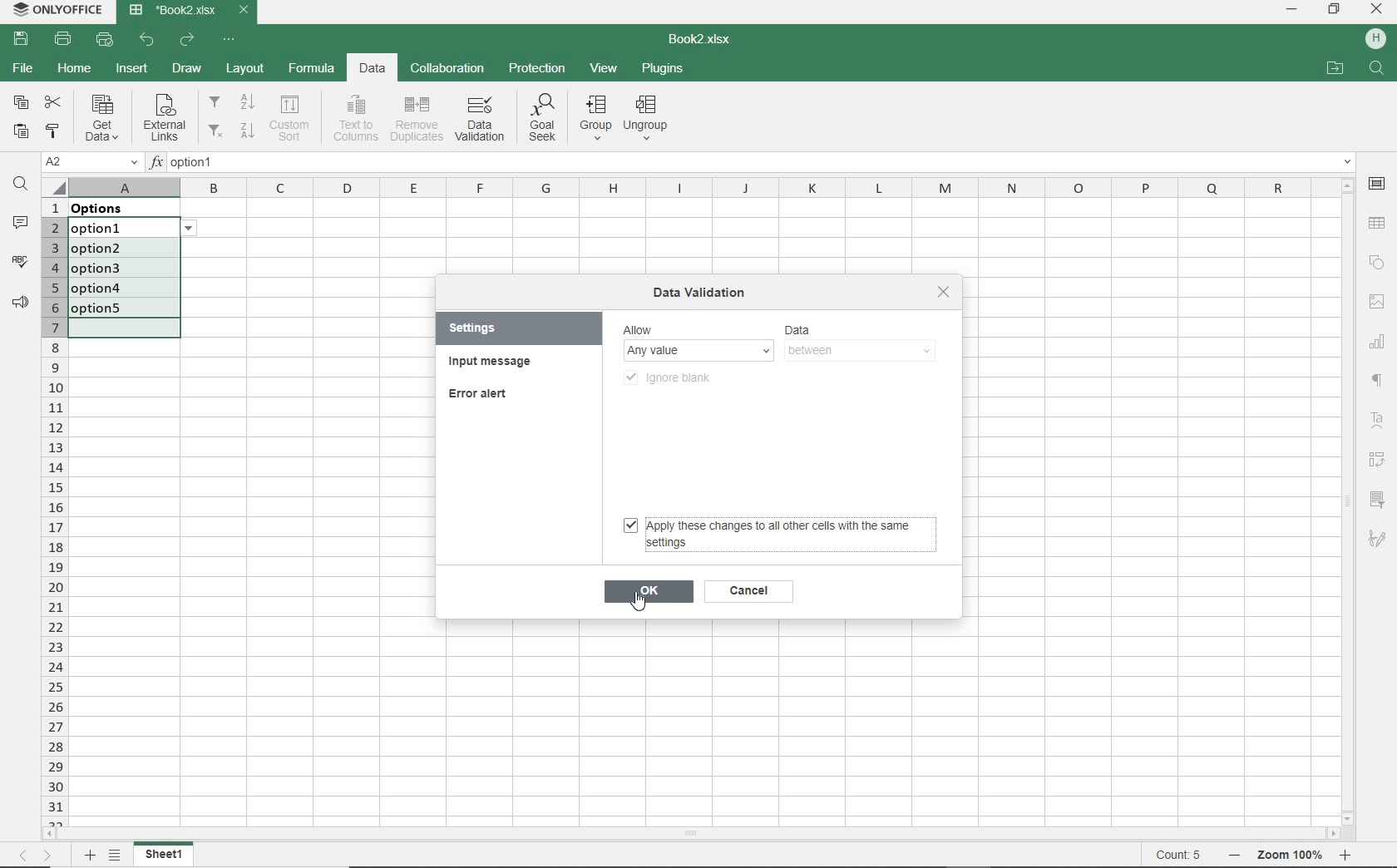  I want to click on Reverse , so click(1381, 460).